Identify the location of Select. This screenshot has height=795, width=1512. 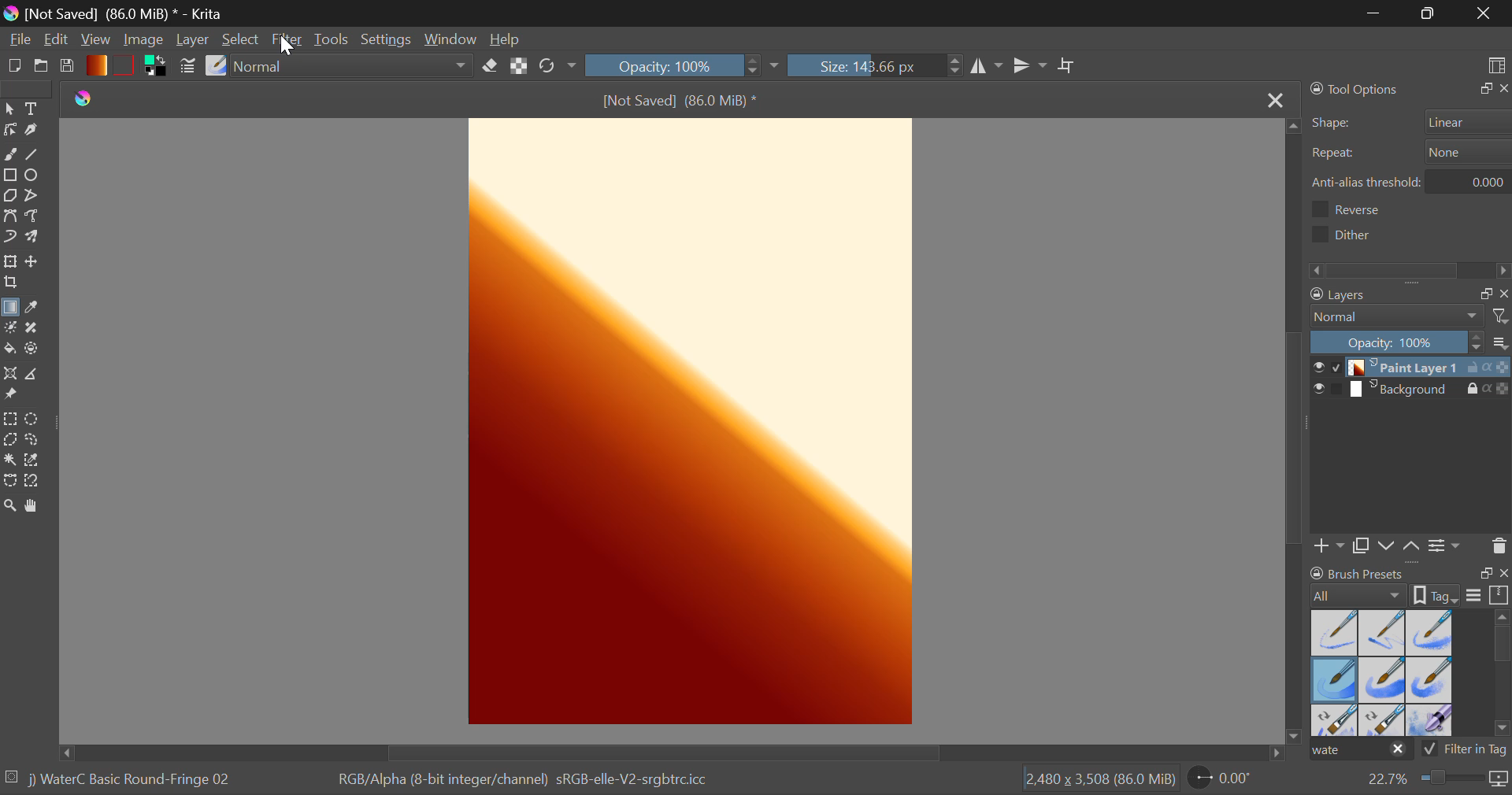
(9, 109).